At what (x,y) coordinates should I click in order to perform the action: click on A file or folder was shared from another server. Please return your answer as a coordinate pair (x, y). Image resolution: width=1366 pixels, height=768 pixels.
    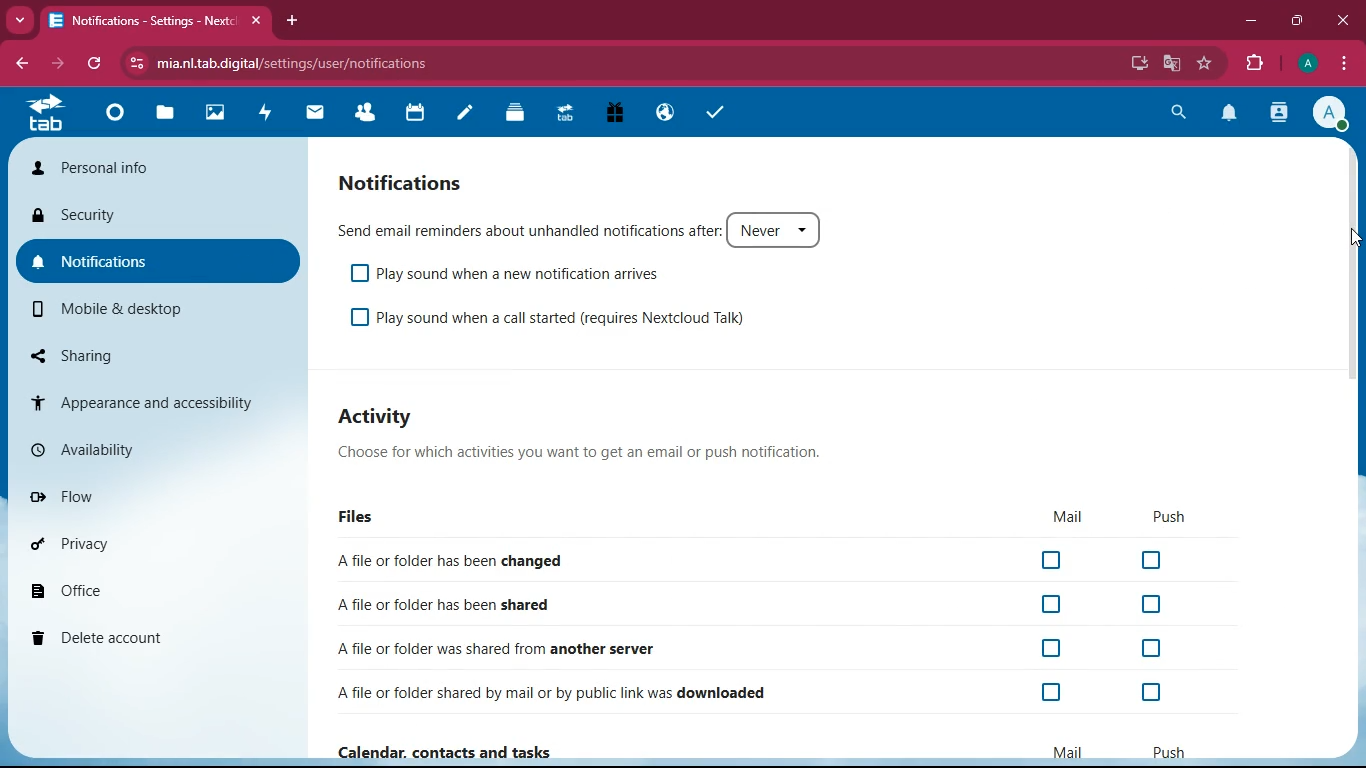
    Looking at the image, I should click on (750, 646).